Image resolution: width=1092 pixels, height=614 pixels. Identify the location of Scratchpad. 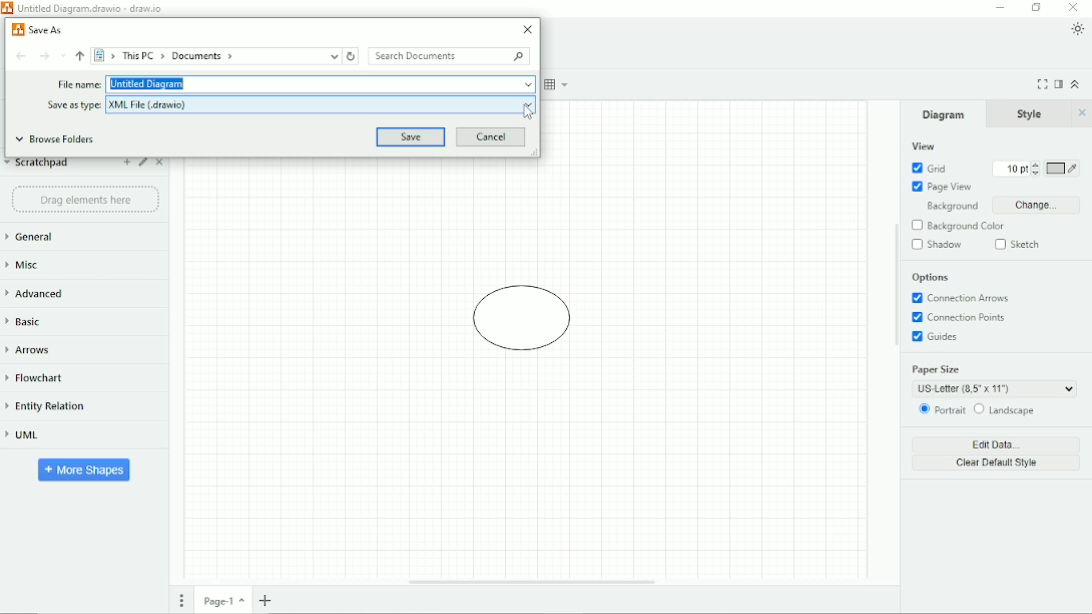
(36, 166).